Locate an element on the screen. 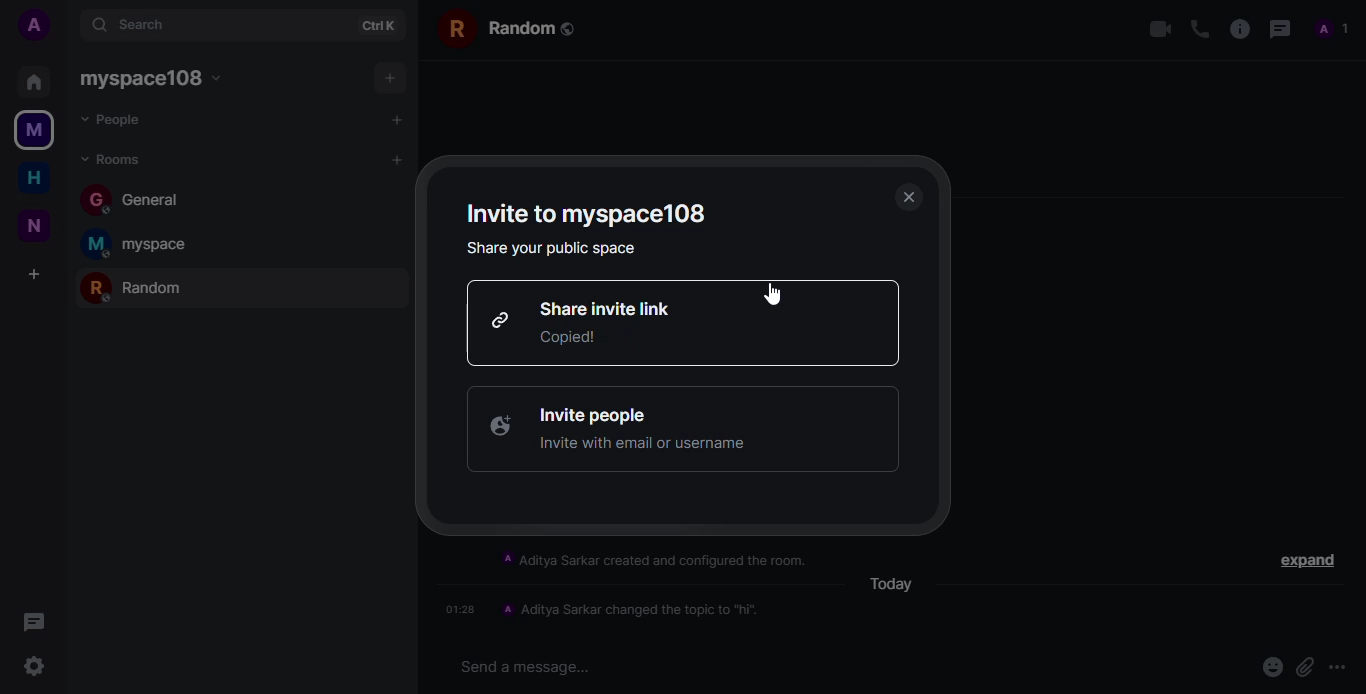  Send a message... is located at coordinates (527, 665).